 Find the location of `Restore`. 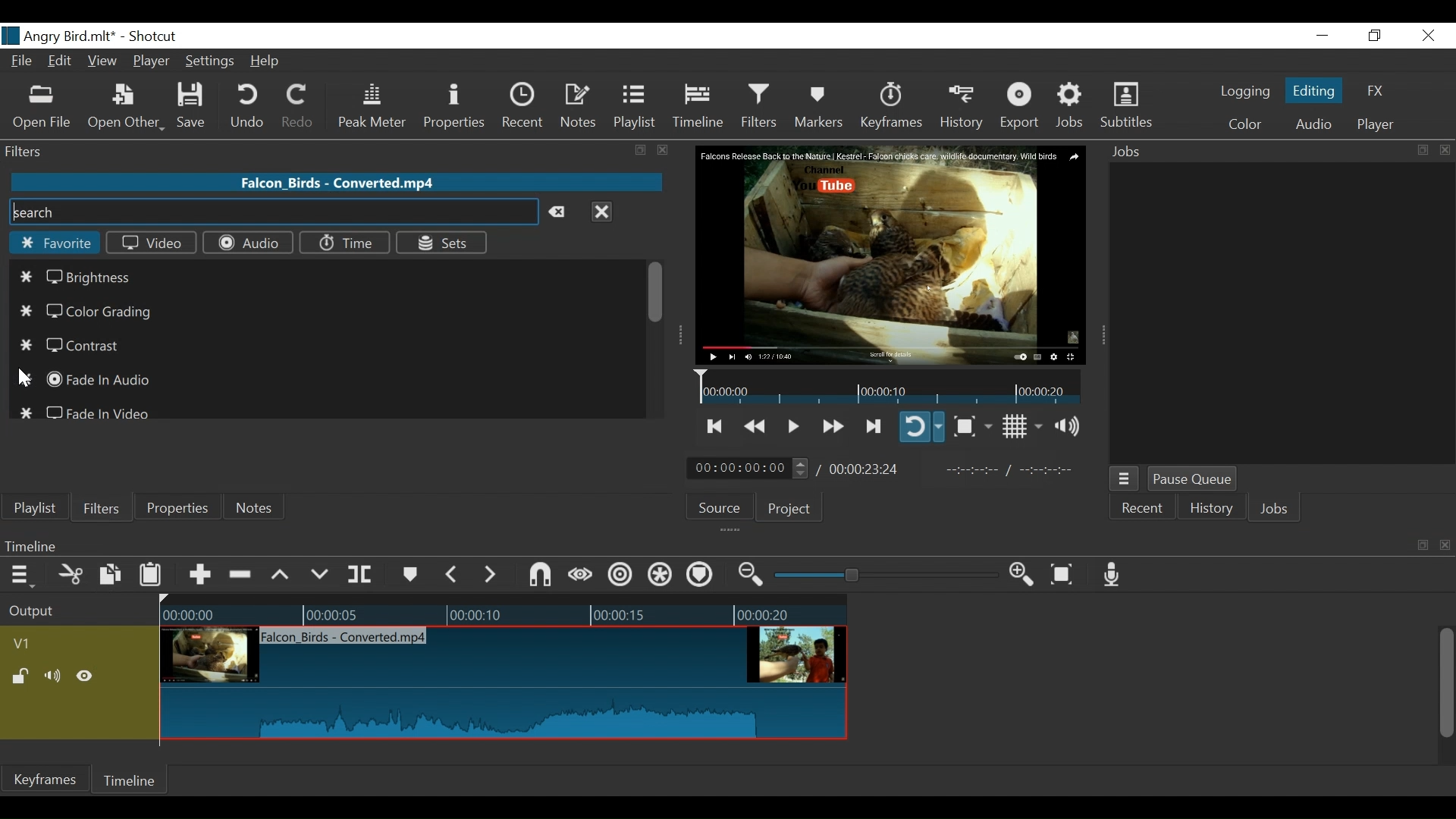

Restore is located at coordinates (1375, 36).